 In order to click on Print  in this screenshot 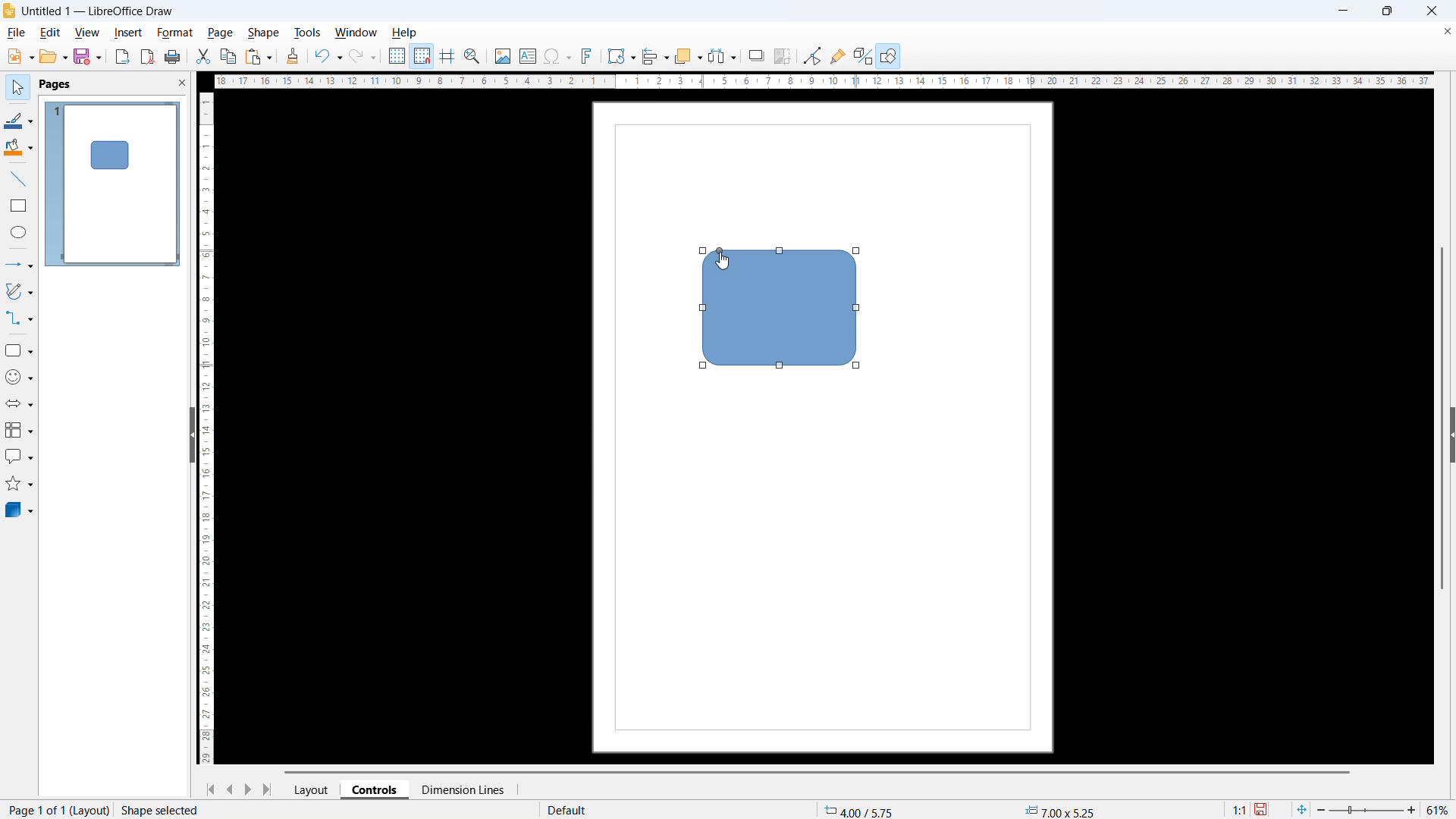, I will do `click(173, 57)`.